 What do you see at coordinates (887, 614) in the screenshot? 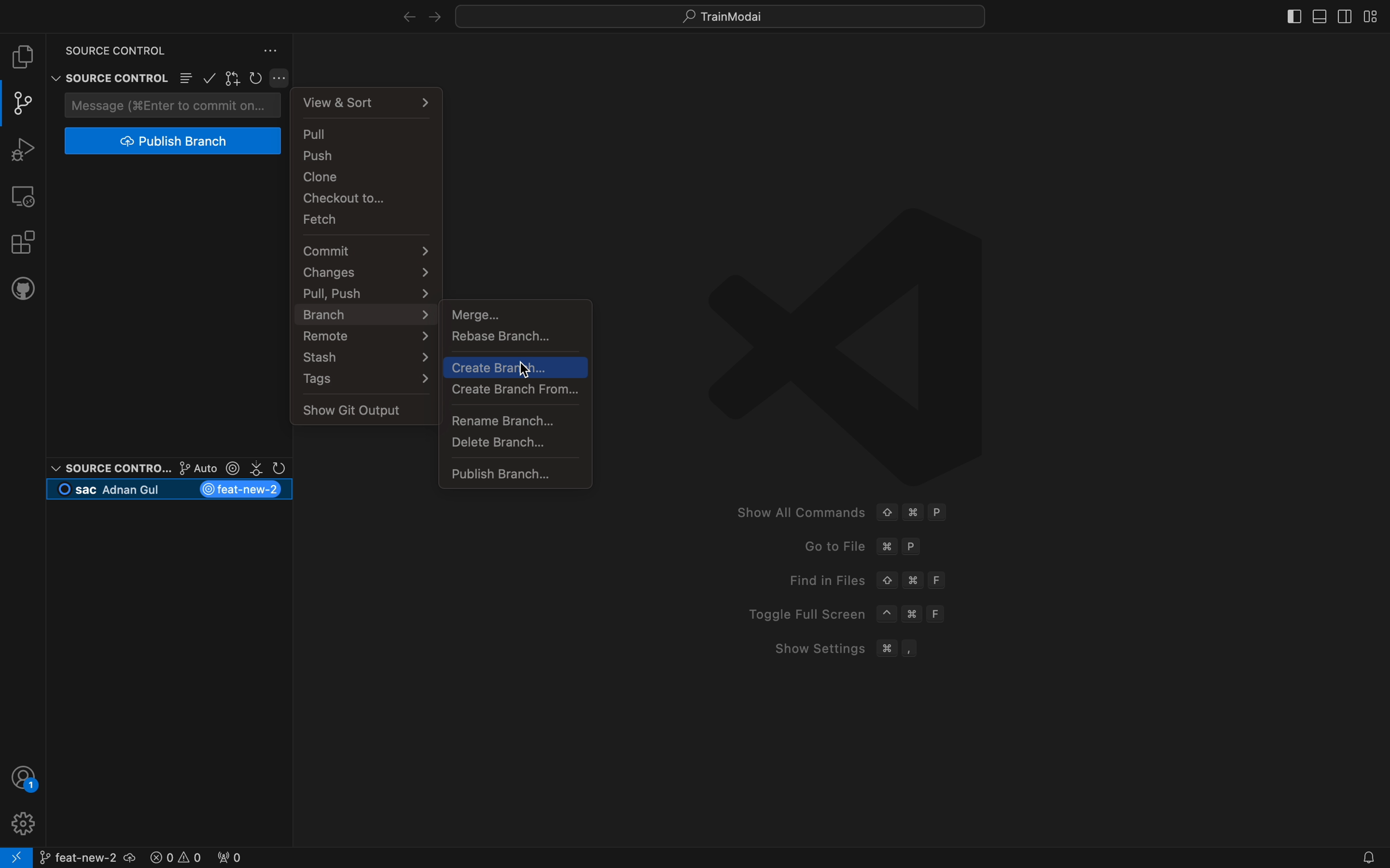
I see `^` at bounding box center [887, 614].